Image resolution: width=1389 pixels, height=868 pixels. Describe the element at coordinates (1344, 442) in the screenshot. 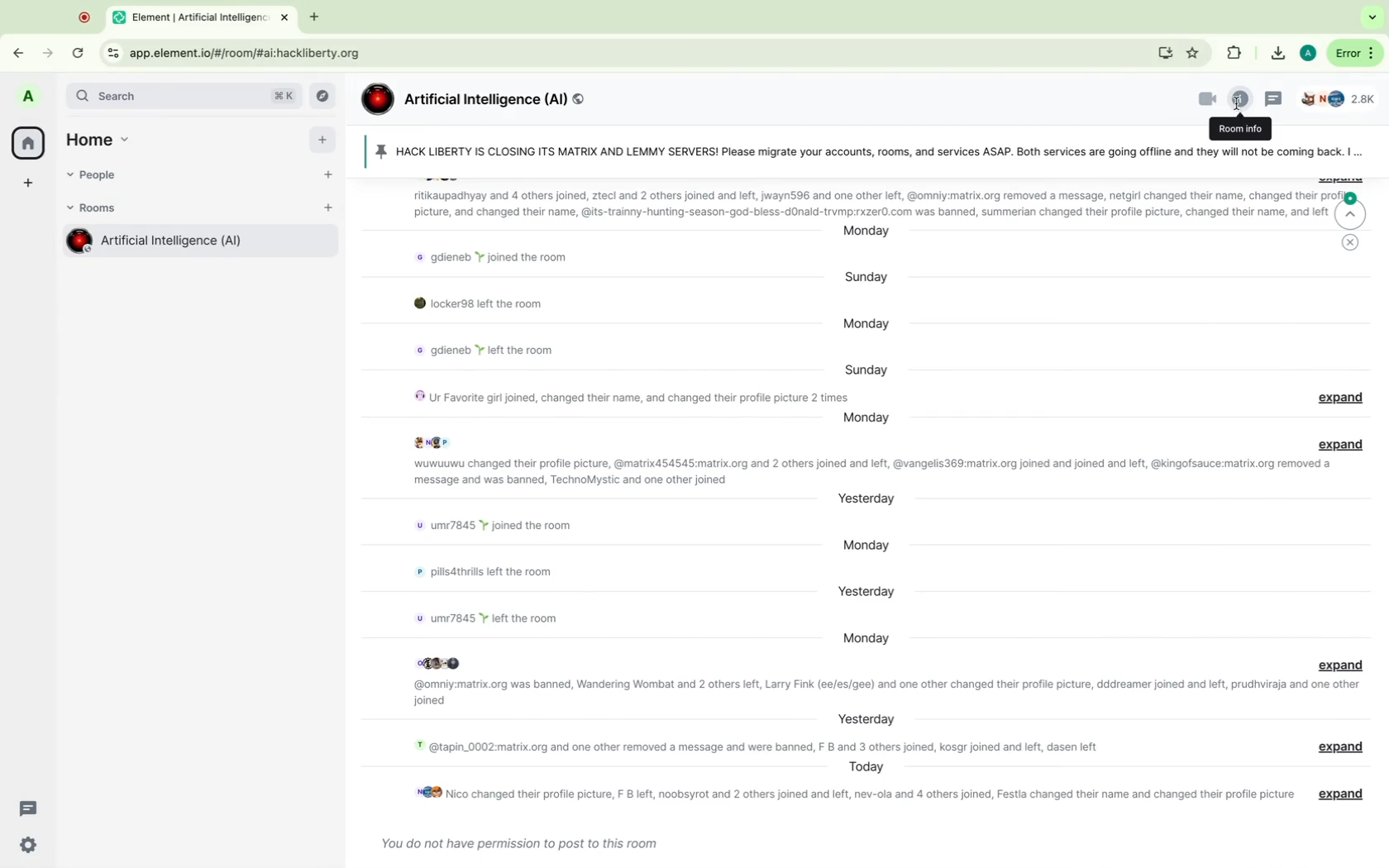

I see `expand` at that location.